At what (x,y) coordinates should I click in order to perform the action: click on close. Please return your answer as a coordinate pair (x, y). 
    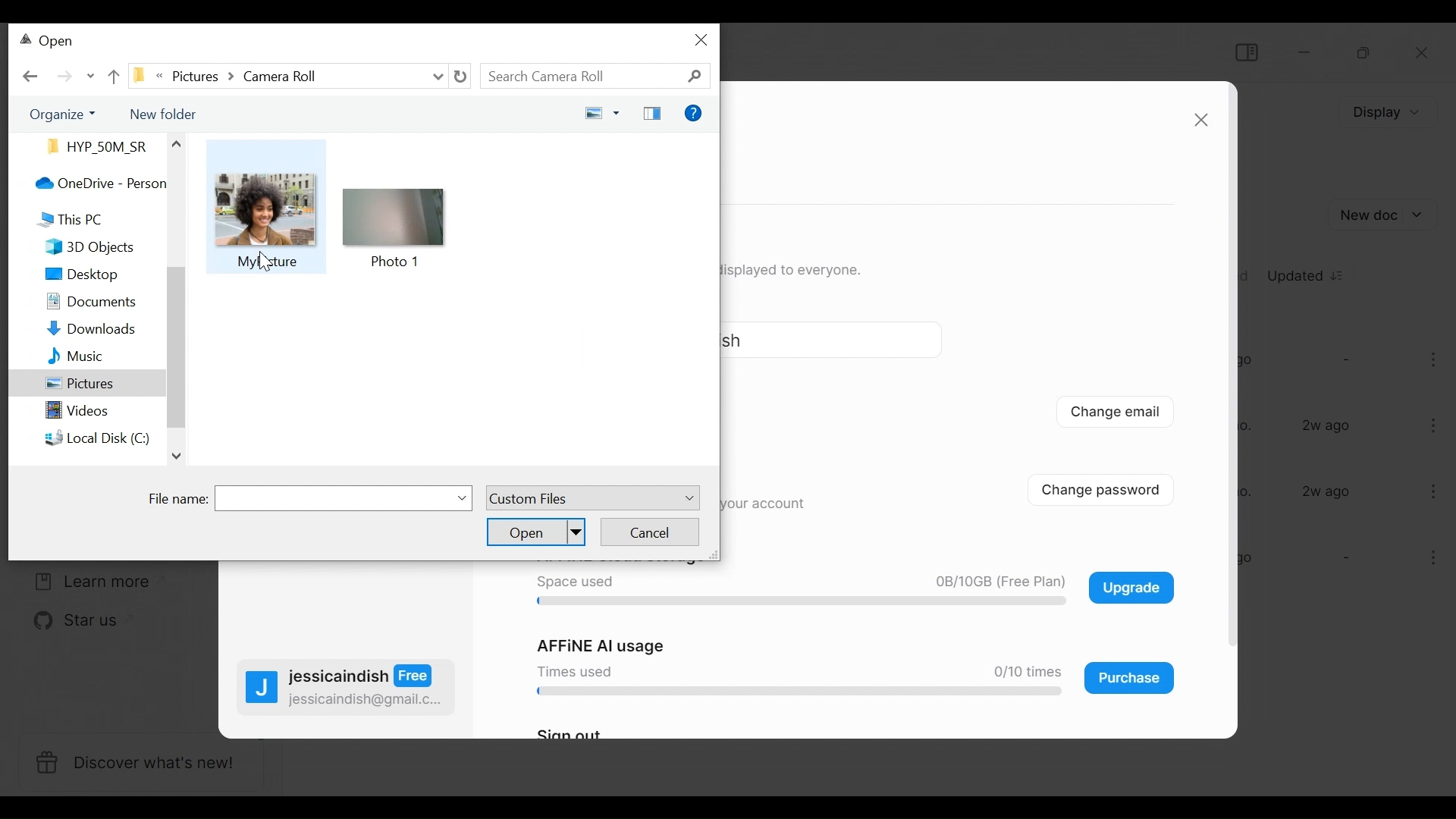
    Looking at the image, I should click on (703, 39).